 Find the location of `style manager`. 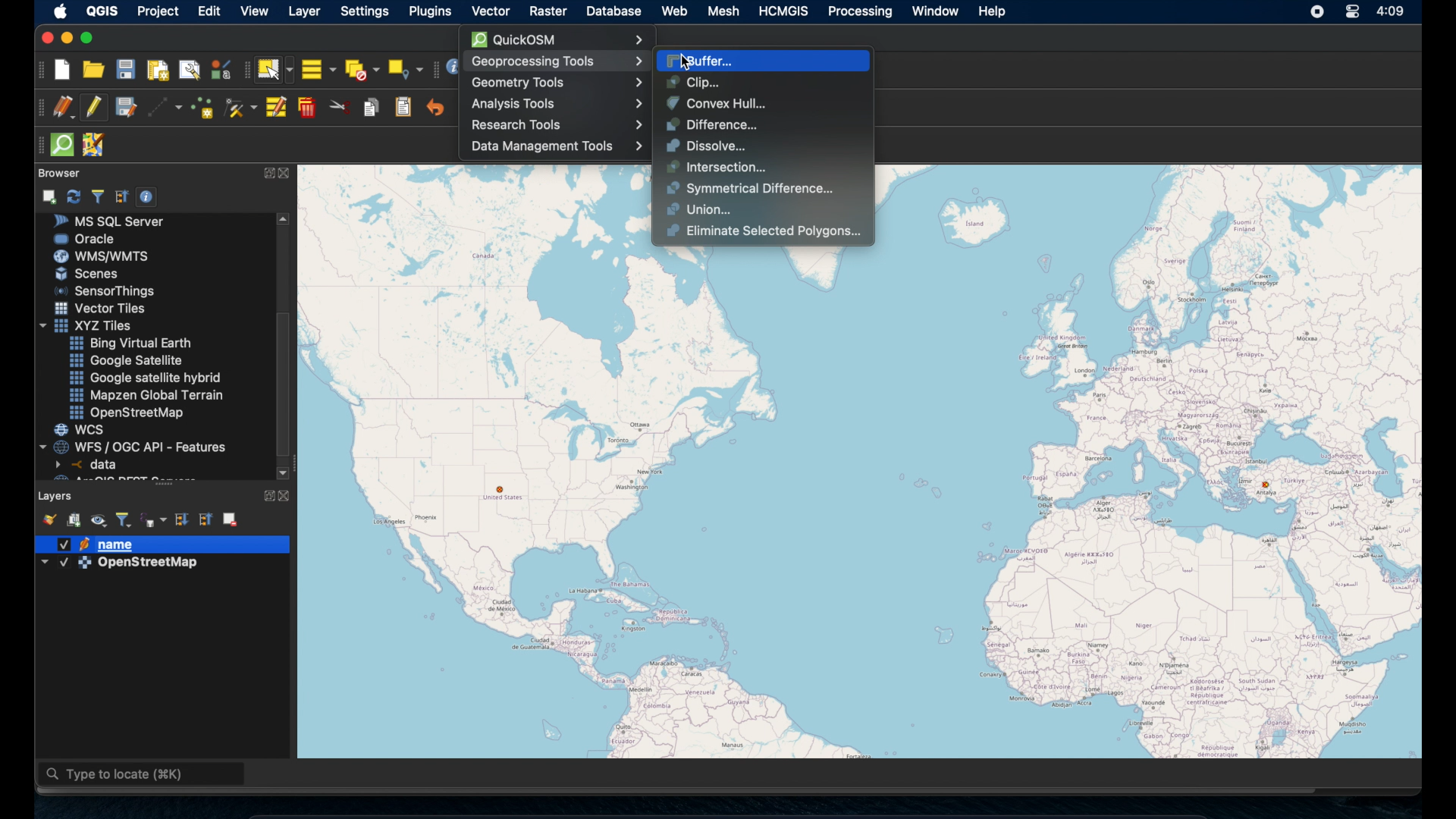

style manager is located at coordinates (220, 69).